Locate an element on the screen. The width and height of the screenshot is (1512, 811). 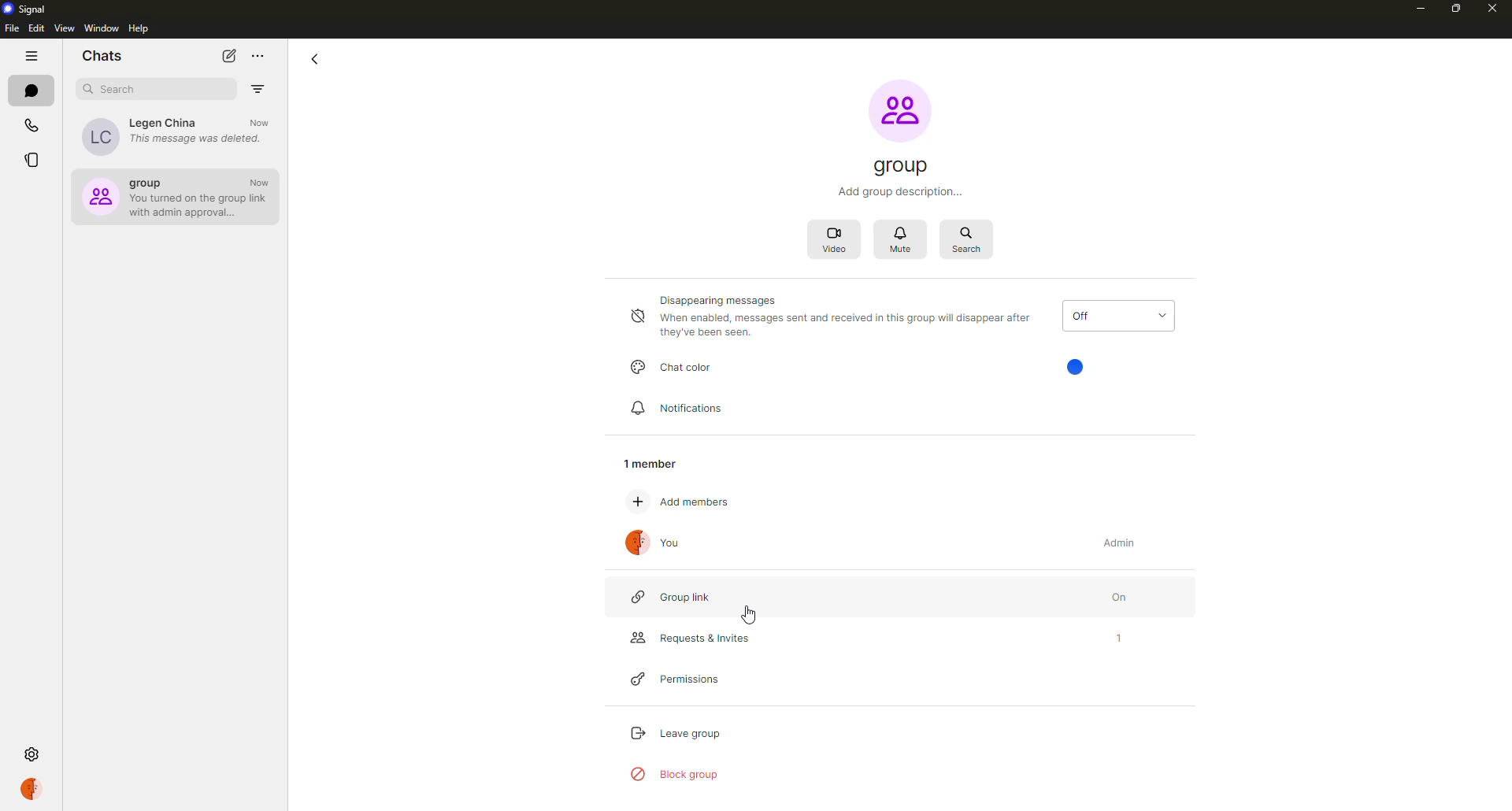
requests and invites is located at coordinates (686, 636).